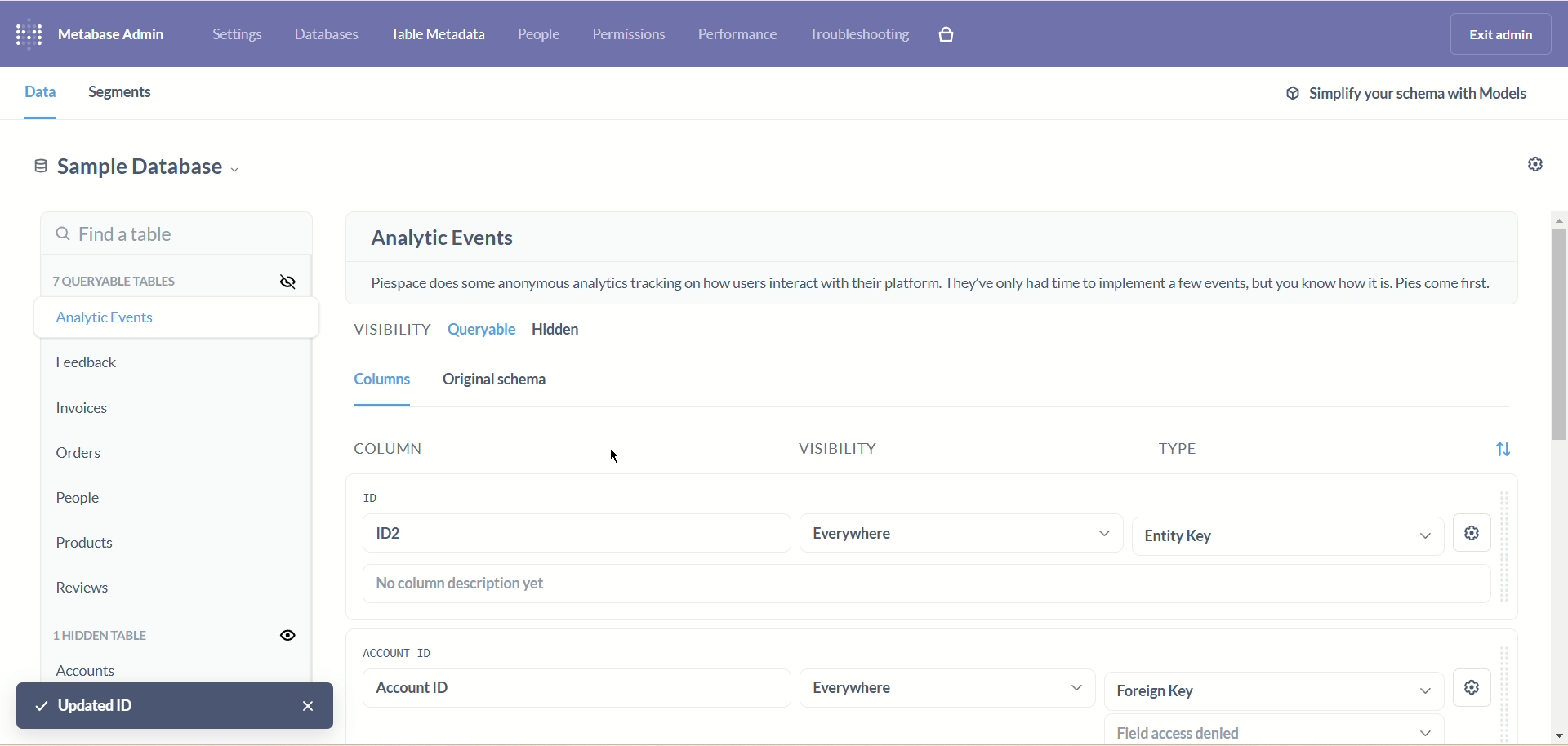 This screenshot has width=1568, height=746. What do you see at coordinates (559, 331) in the screenshot?
I see `Hidden` at bounding box center [559, 331].